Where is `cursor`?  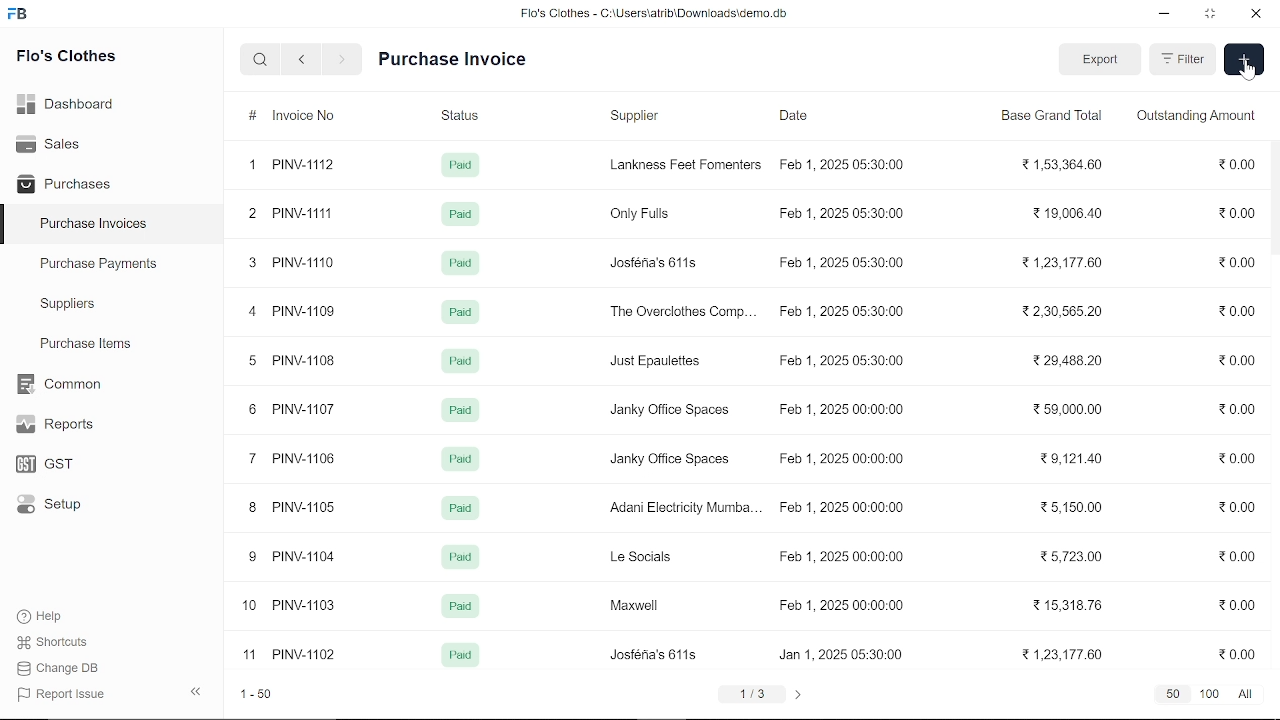 cursor is located at coordinates (1247, 70).